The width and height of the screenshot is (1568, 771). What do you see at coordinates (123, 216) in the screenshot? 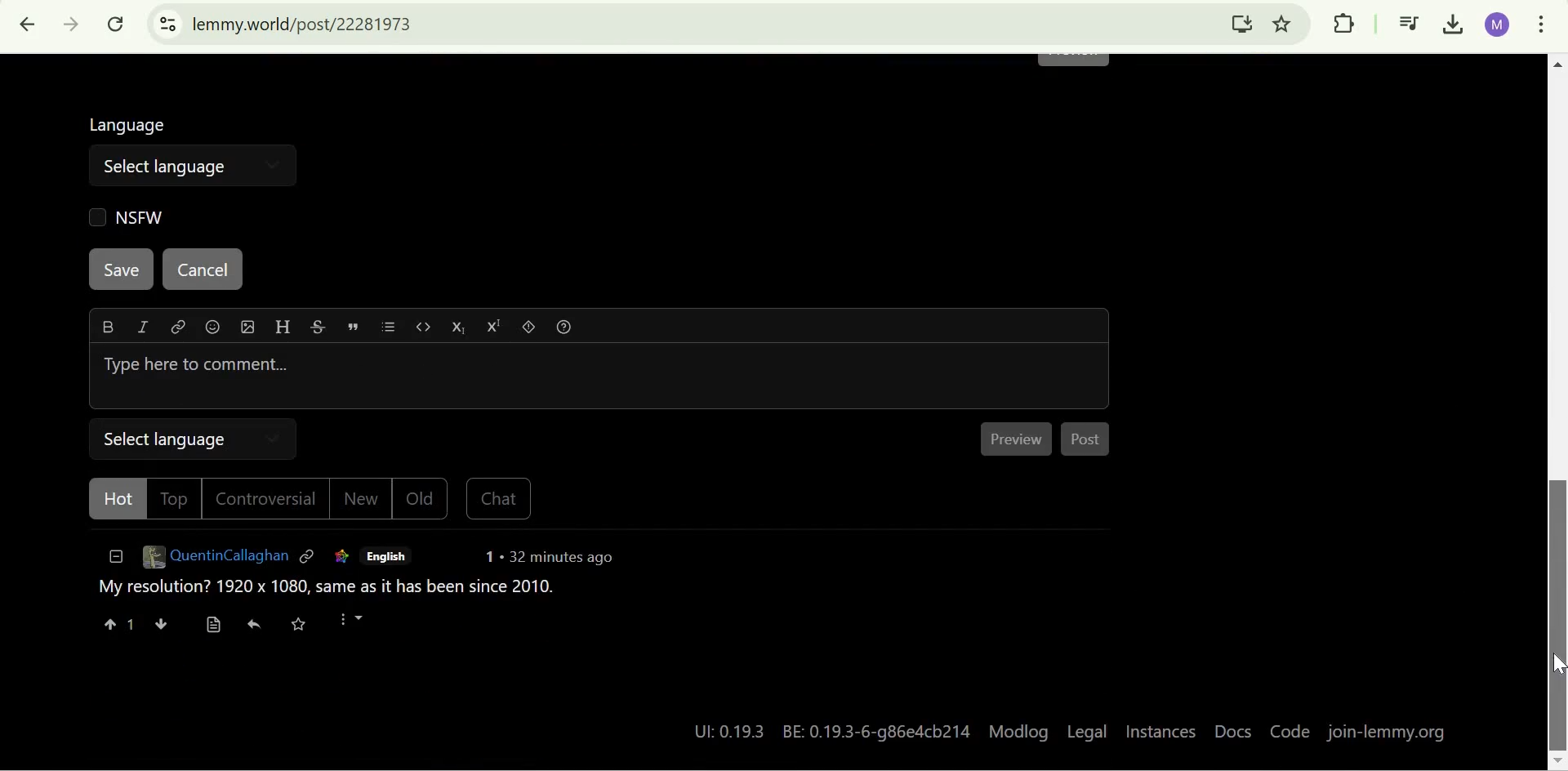
I see `NSFW` at bounding box center [123, 216].